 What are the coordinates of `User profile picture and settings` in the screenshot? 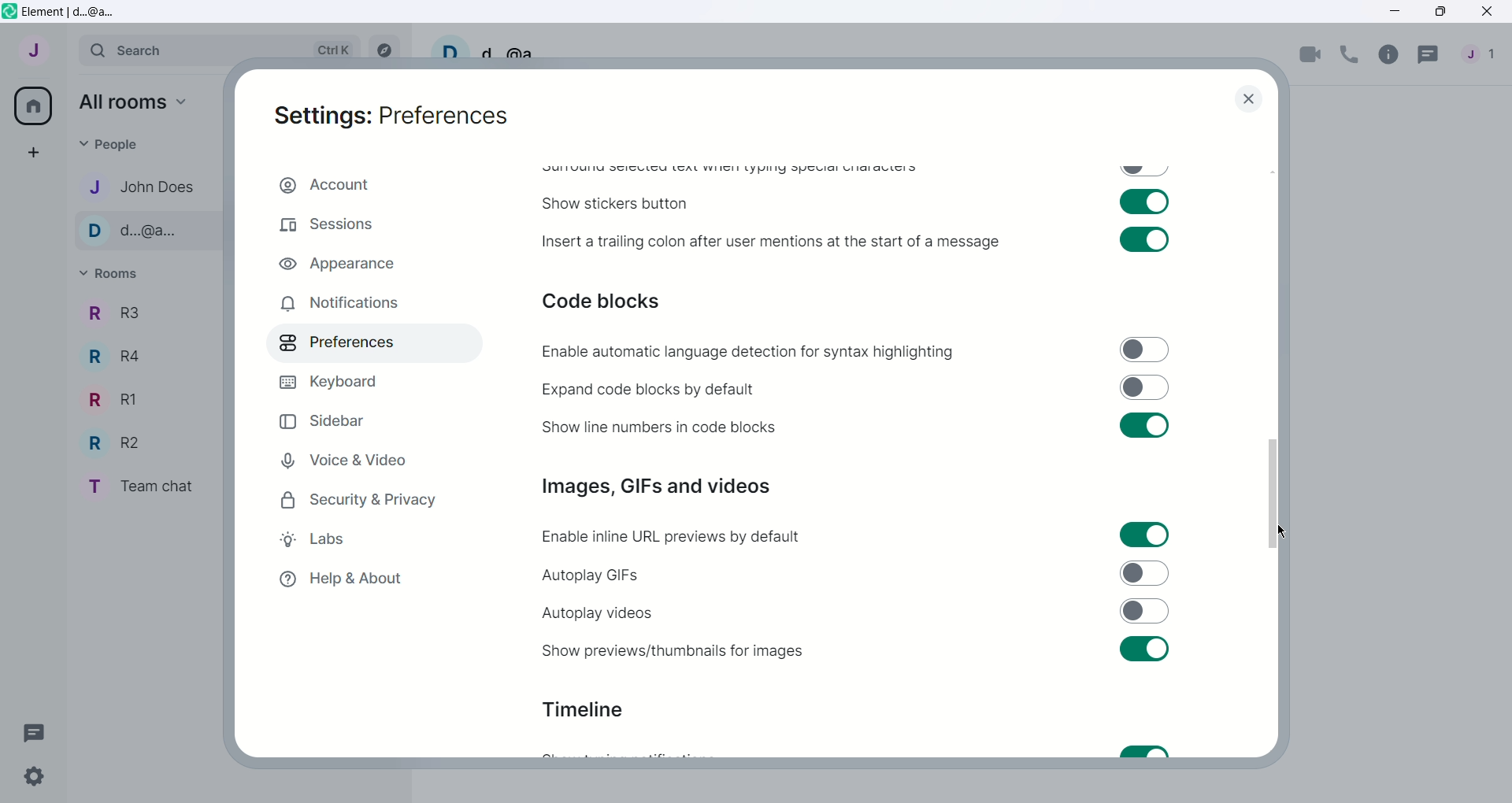 It's located at (450, 46).